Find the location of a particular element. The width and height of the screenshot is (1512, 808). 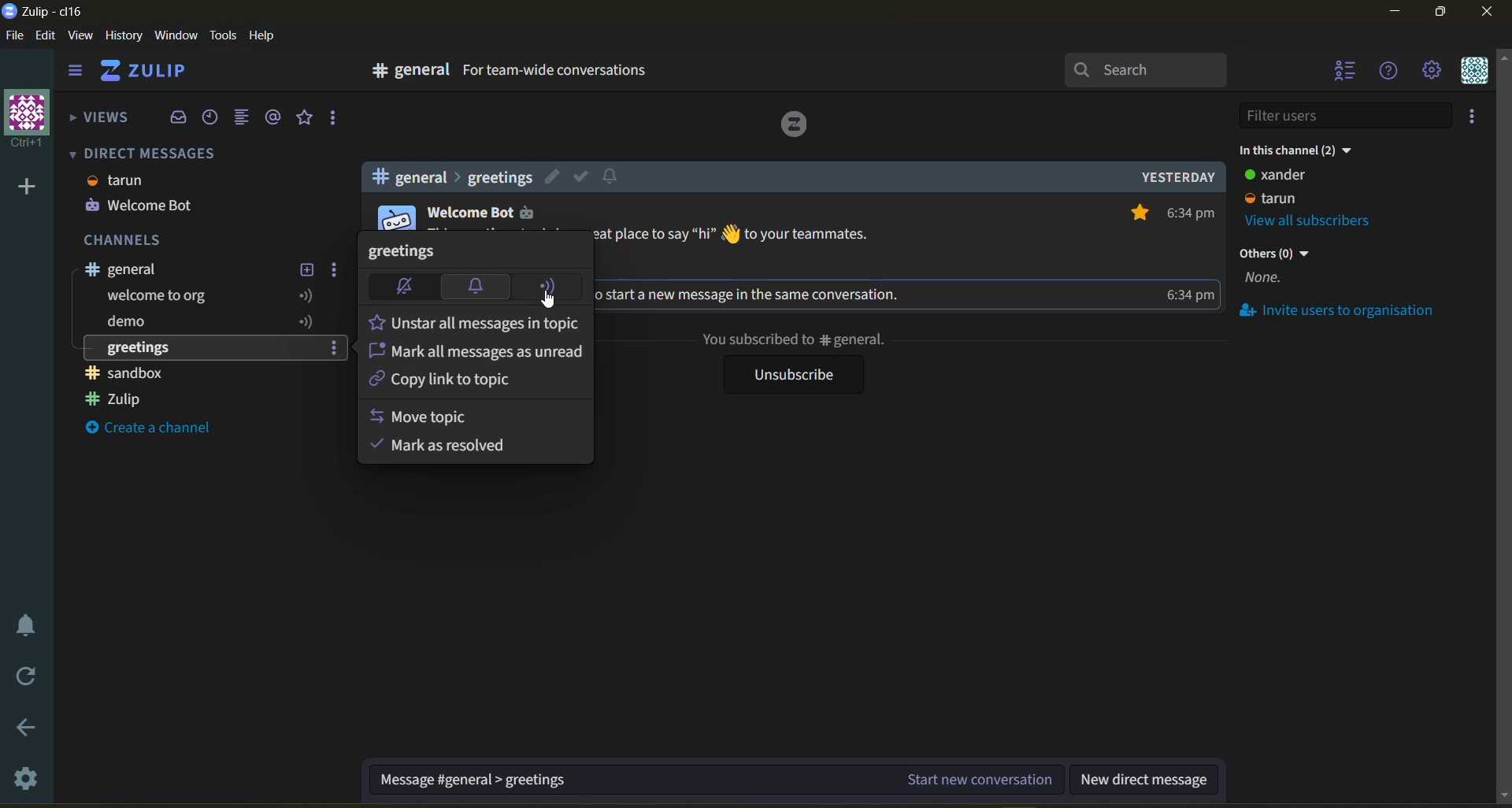

go back is located at coordinates (25, 730).